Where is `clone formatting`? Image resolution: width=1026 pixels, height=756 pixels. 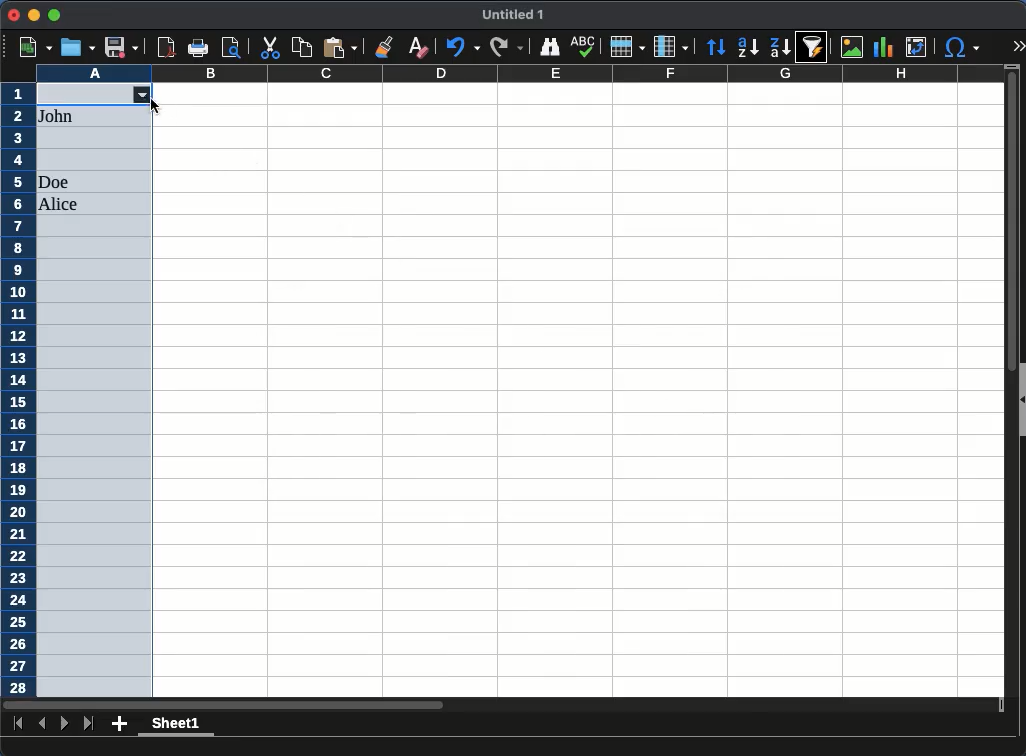 clone formatting is located at coordinates (387, 46).